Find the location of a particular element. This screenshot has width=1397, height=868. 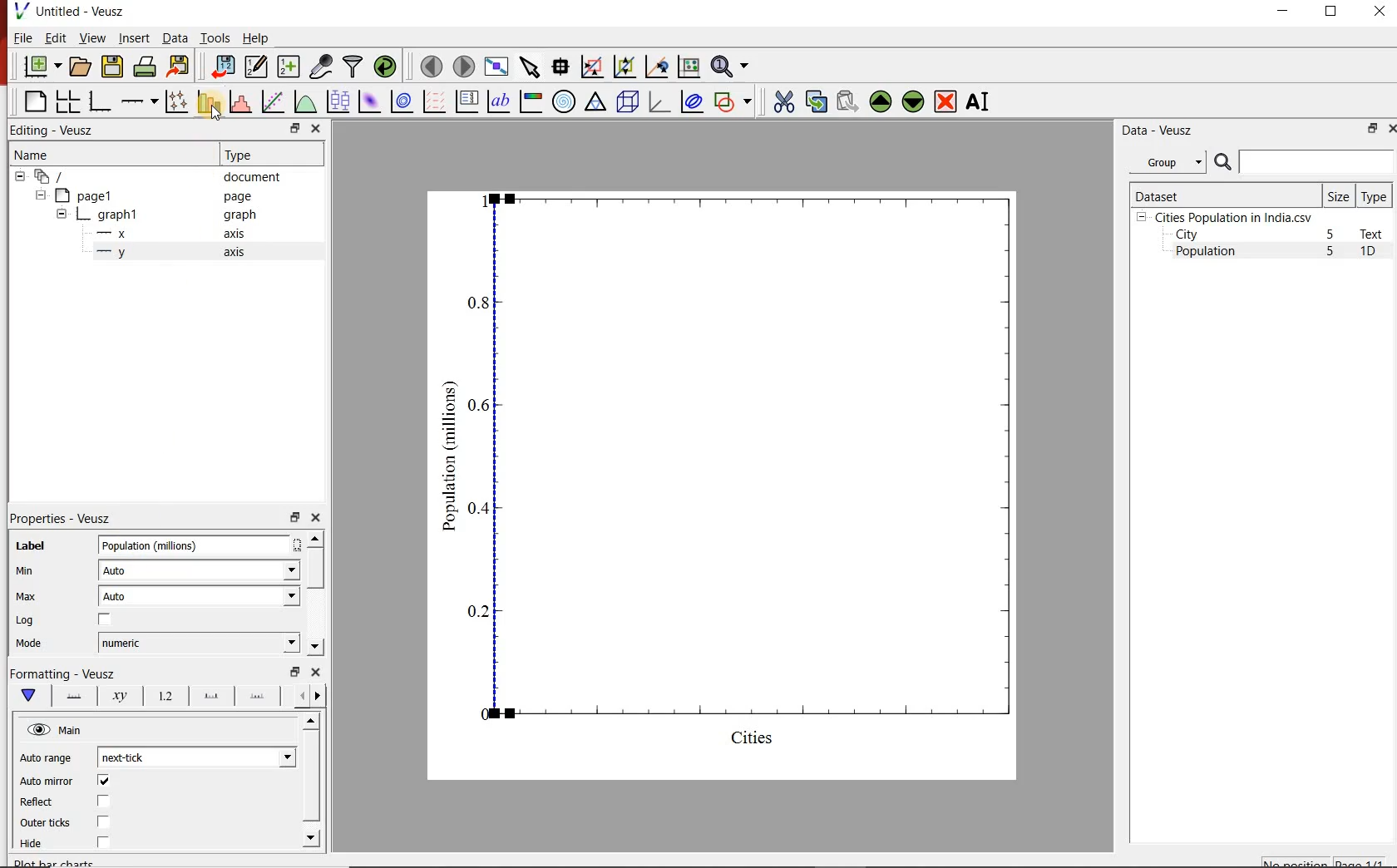

x axis is located at coordinates (173, 234).